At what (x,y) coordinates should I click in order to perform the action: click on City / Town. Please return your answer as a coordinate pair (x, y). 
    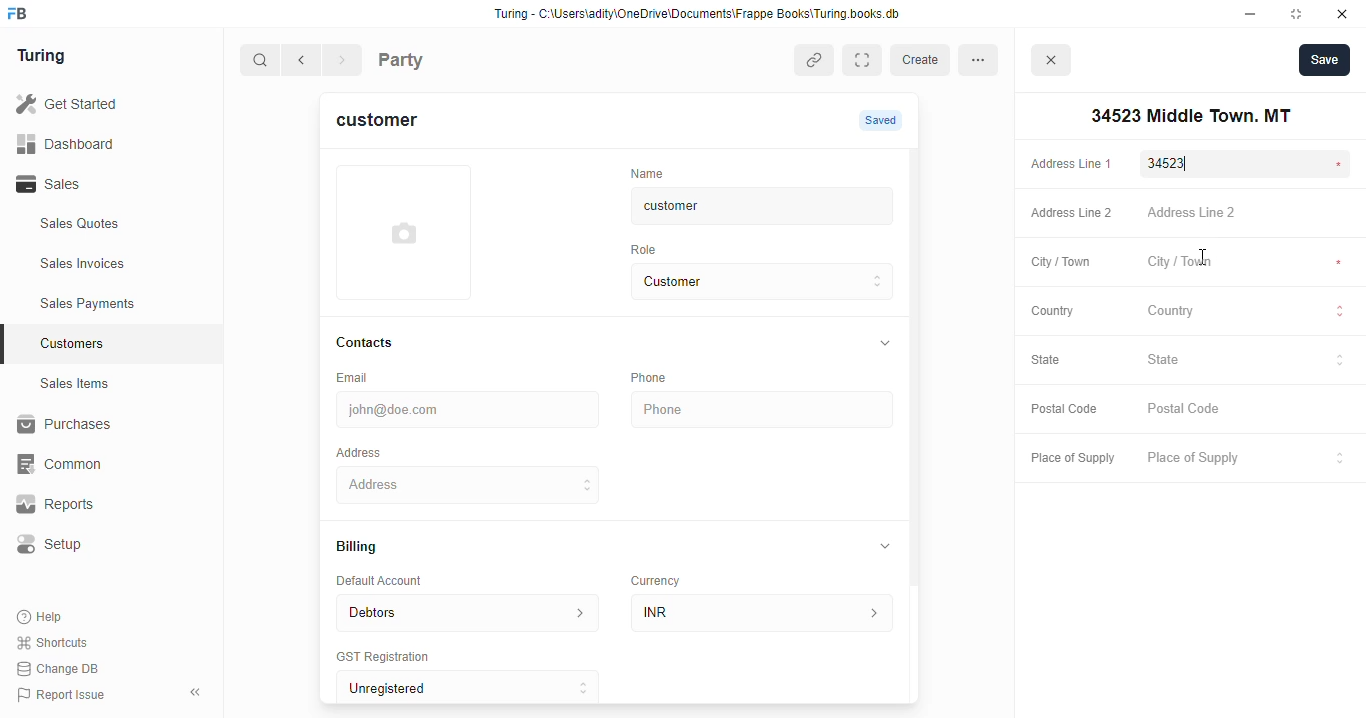
    Looking at the image, I should click on (1061, 264).